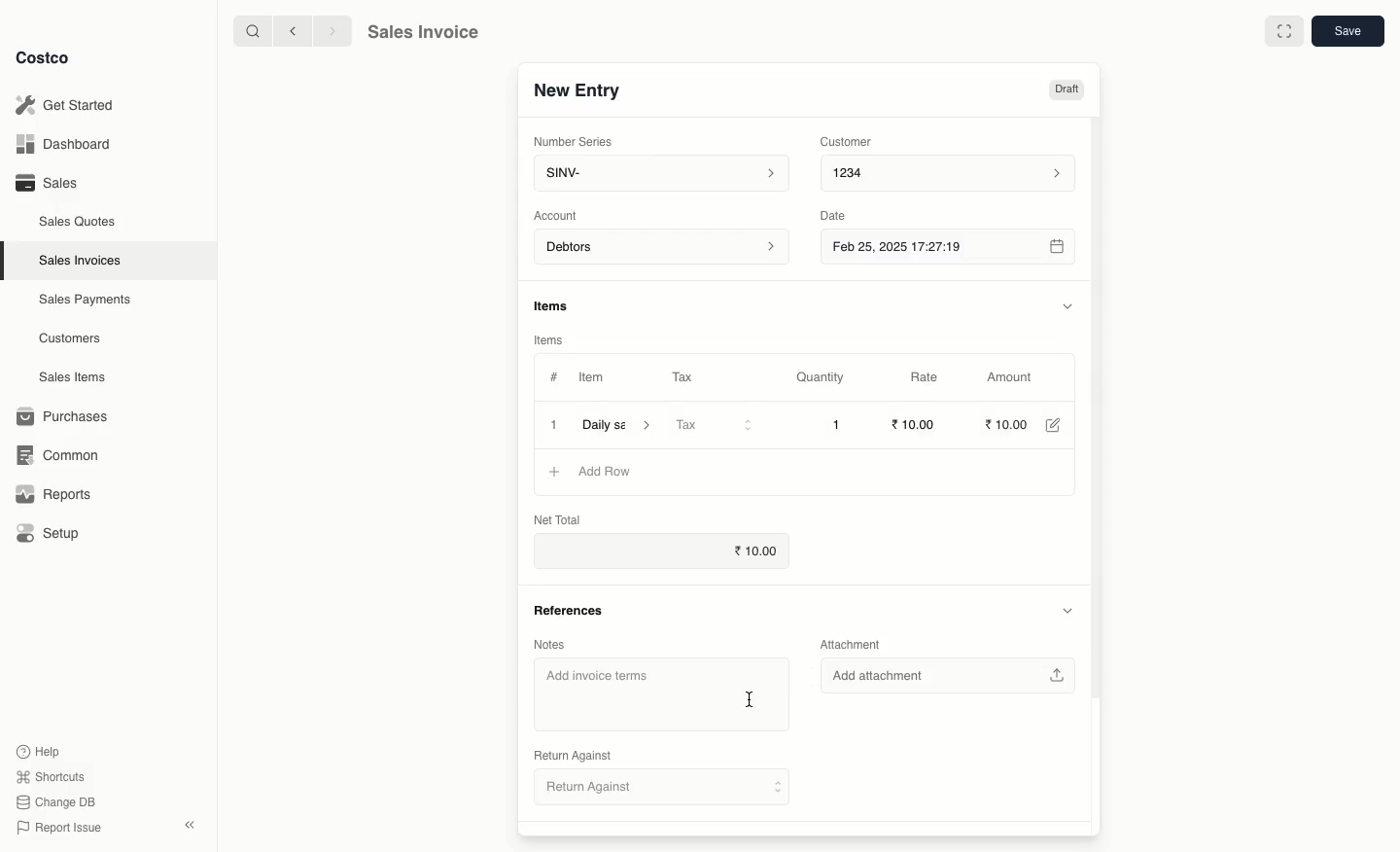  Describe the element at coordinates (558, 216) in the screenshot. I see `‘Account` at that location.